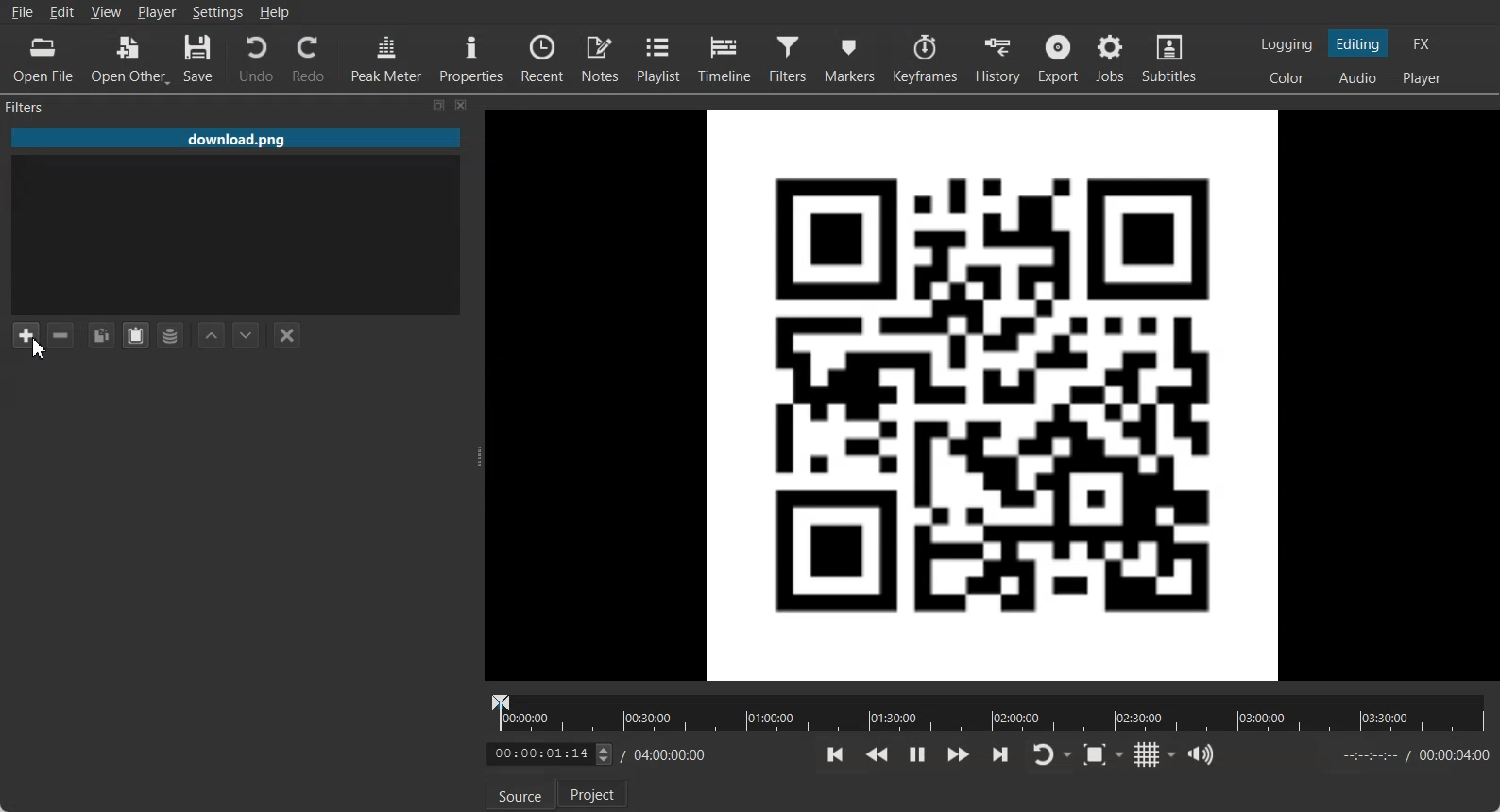  What do you see at coordinates (288, 335) in the screenshot?
I see `Deselect the filter` at bounding box center [288, 335].